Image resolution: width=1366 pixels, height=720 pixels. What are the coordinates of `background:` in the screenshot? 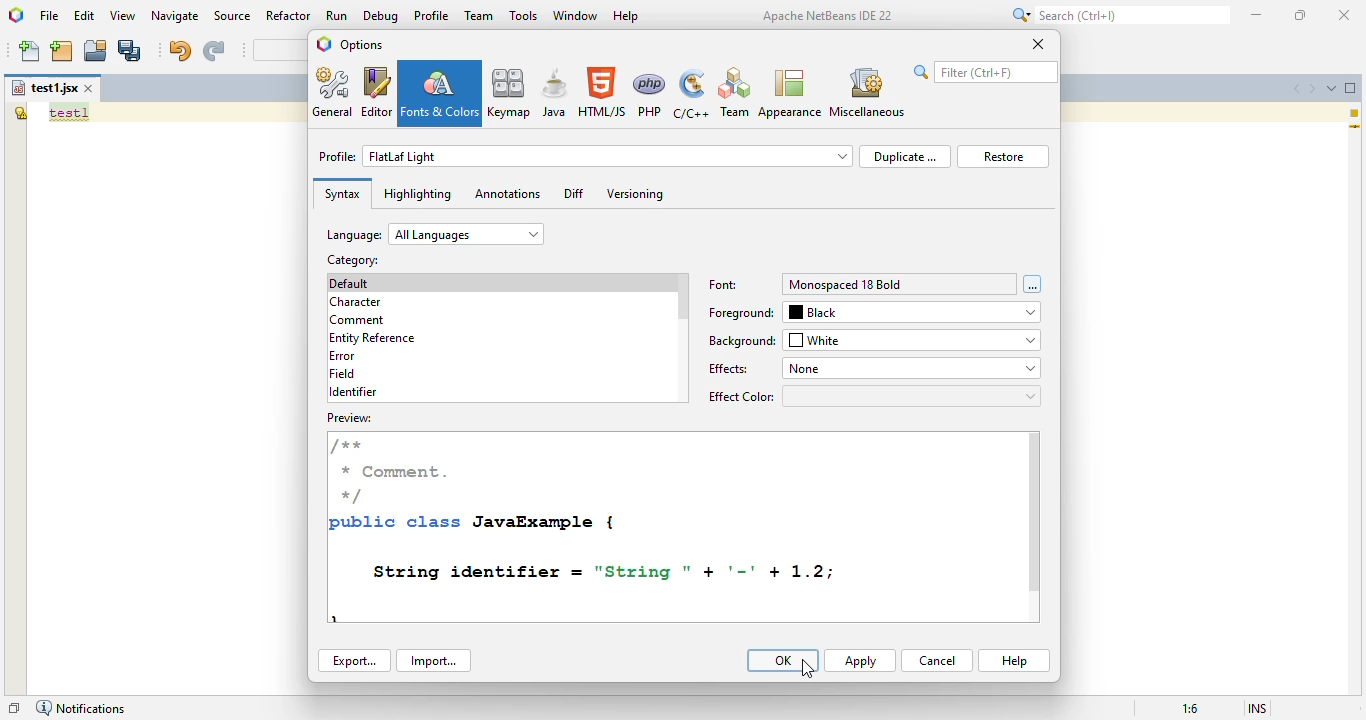 It's located at (742, 341).